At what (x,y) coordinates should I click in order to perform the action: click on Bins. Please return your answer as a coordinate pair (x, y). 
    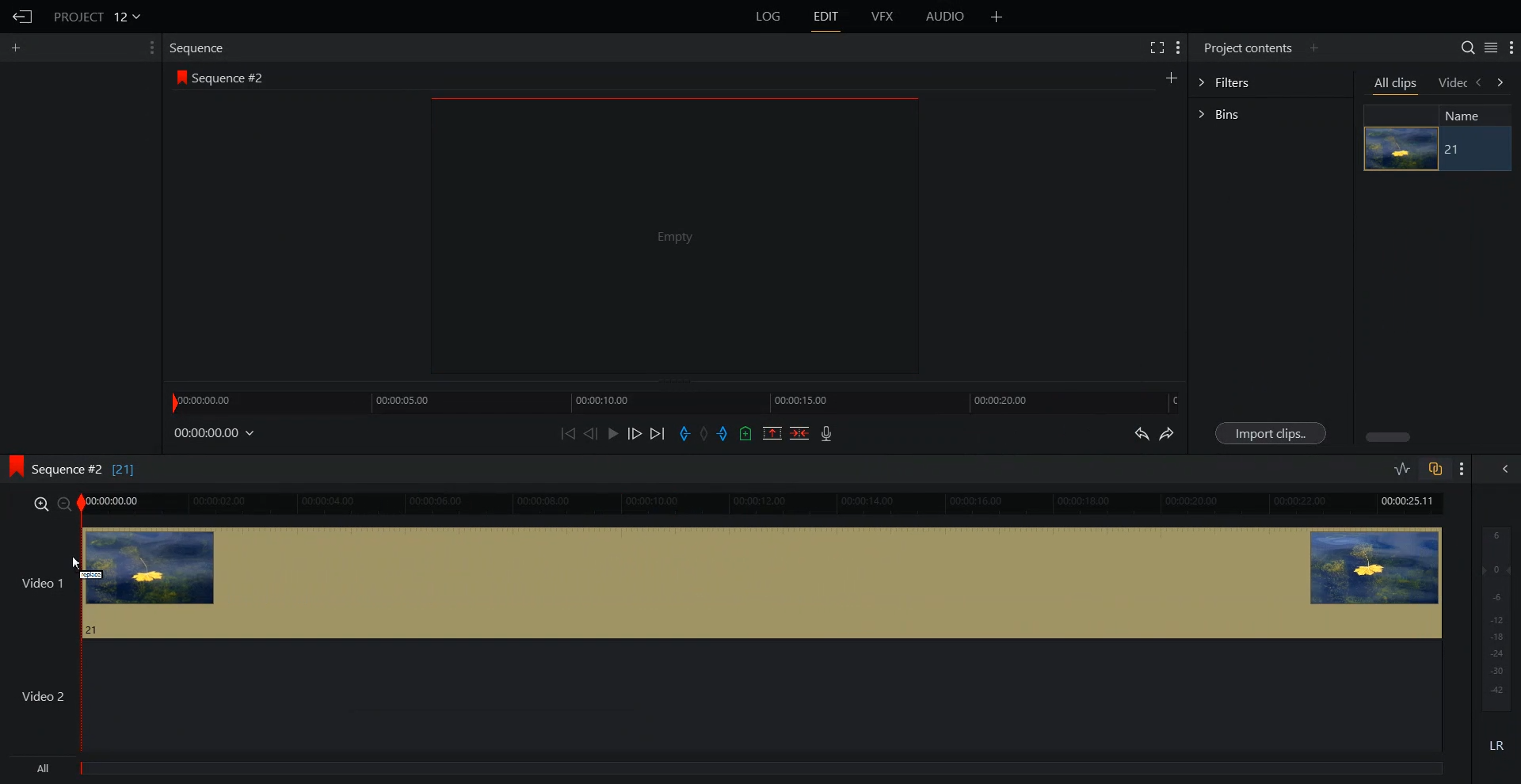
    Looking at the image, I should click on (1270, 114).